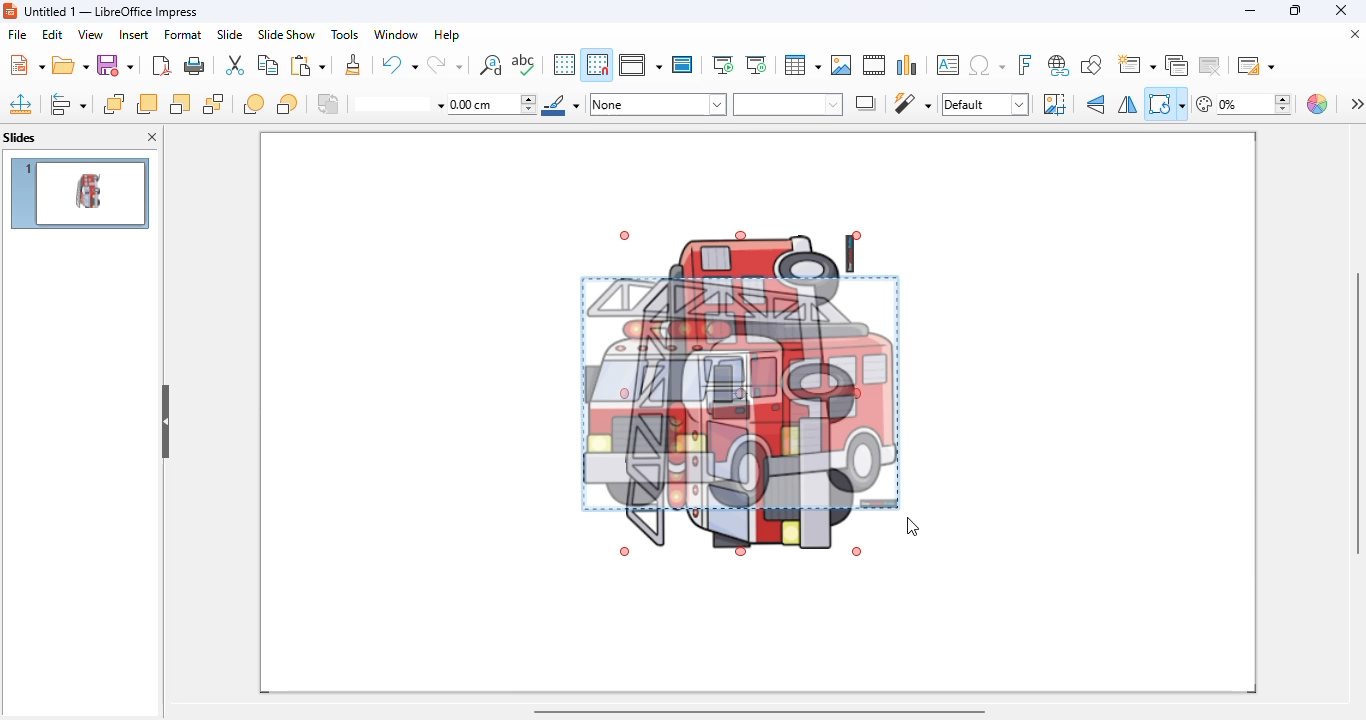 The image size is (1366, 720). I want to click on slides, so click(20, 137).